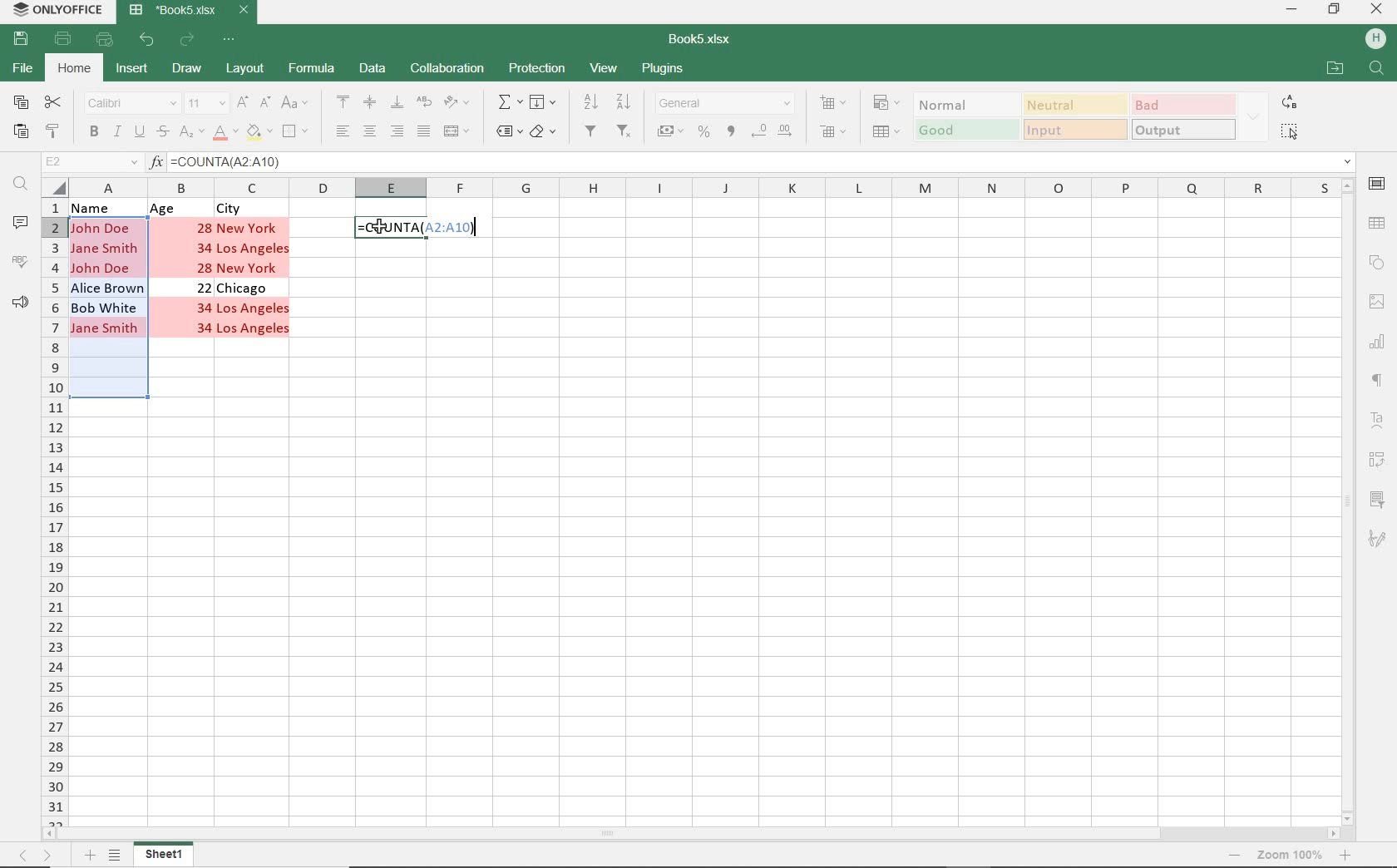  I want to click on Highlighted CELLS A2:A10, so click(113, 313).